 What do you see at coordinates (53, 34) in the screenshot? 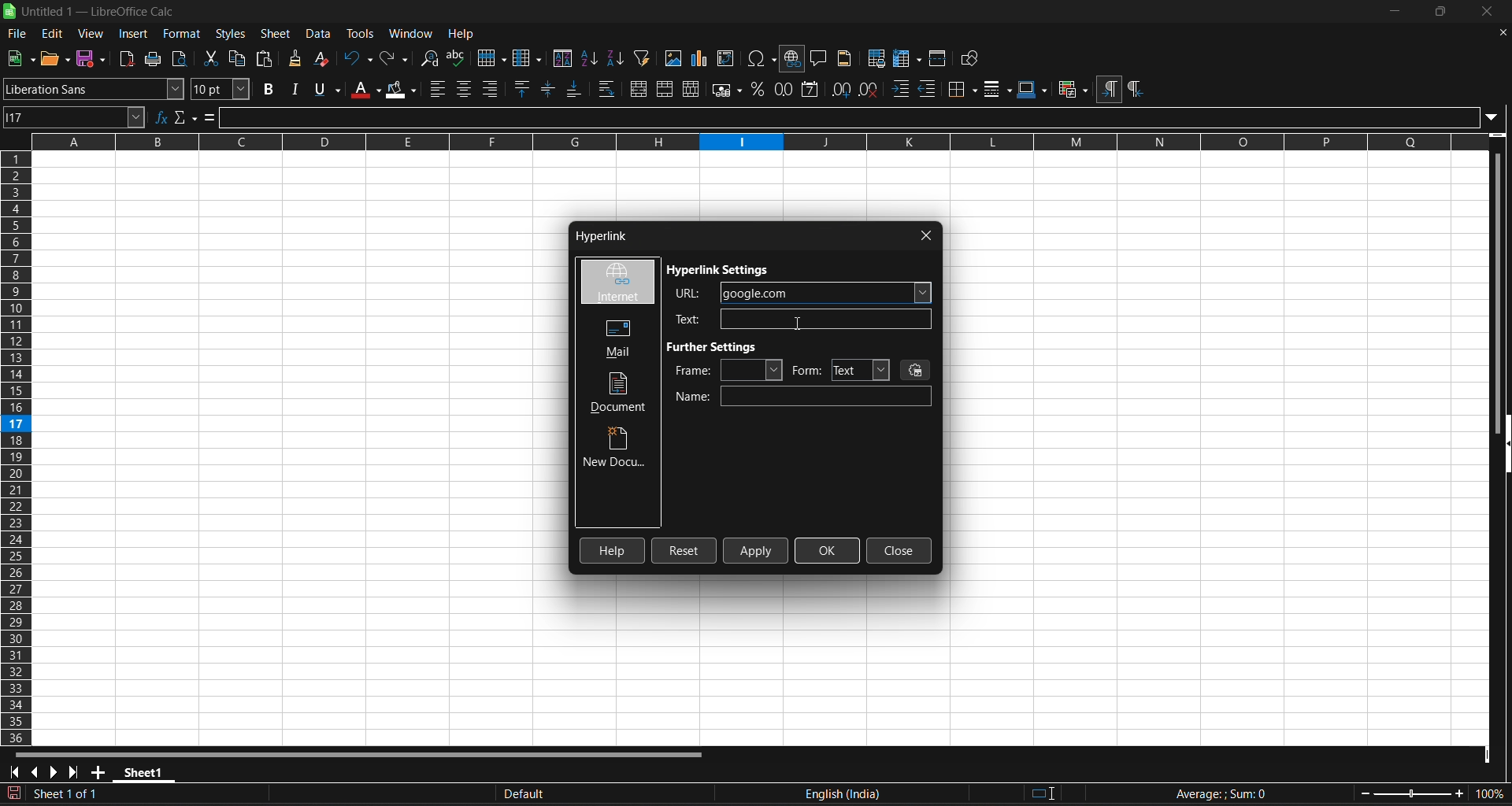
I see `edit` at bounding box center [53, 34].